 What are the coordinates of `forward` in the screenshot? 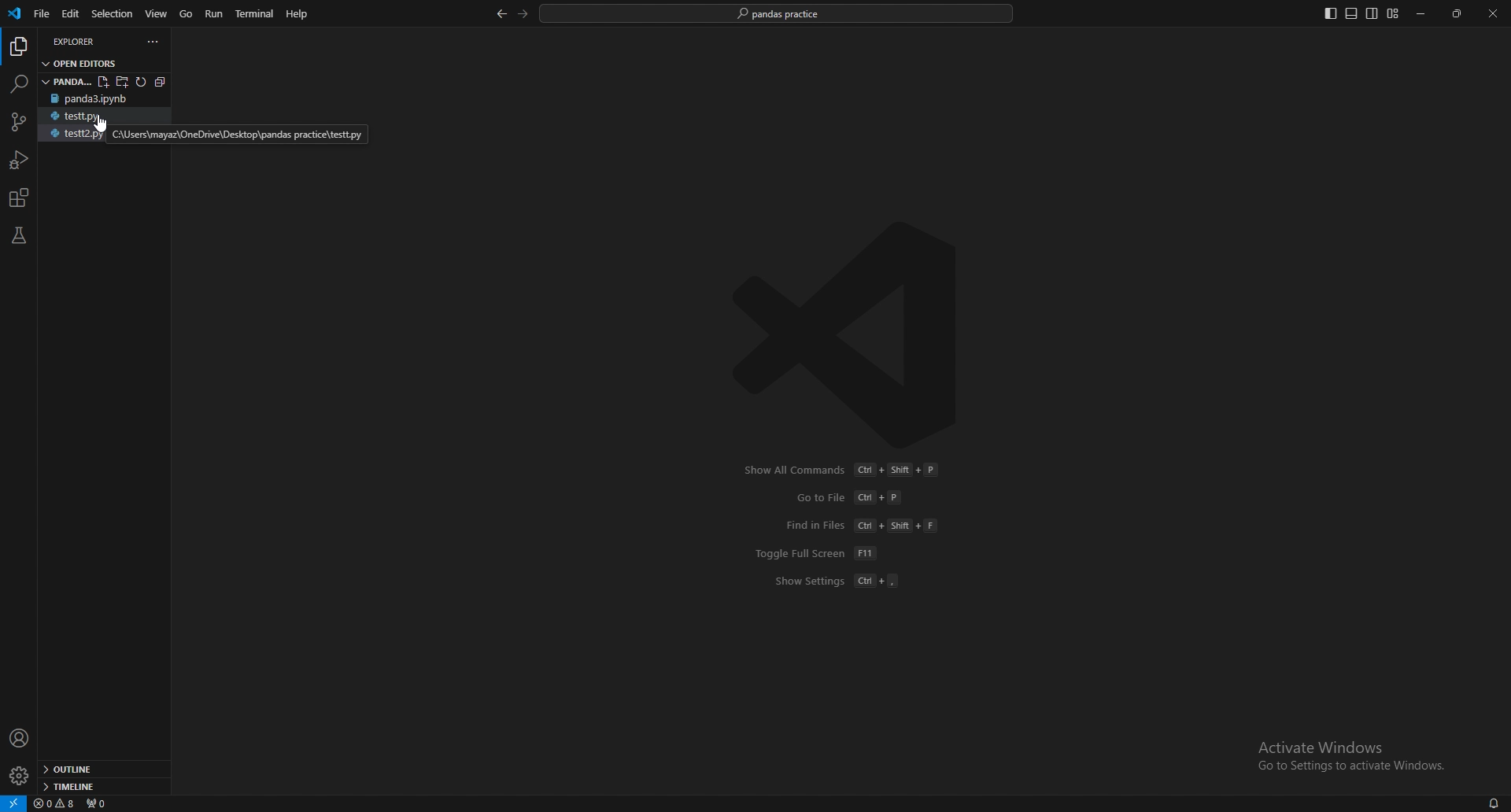 It's located at (523, 13).